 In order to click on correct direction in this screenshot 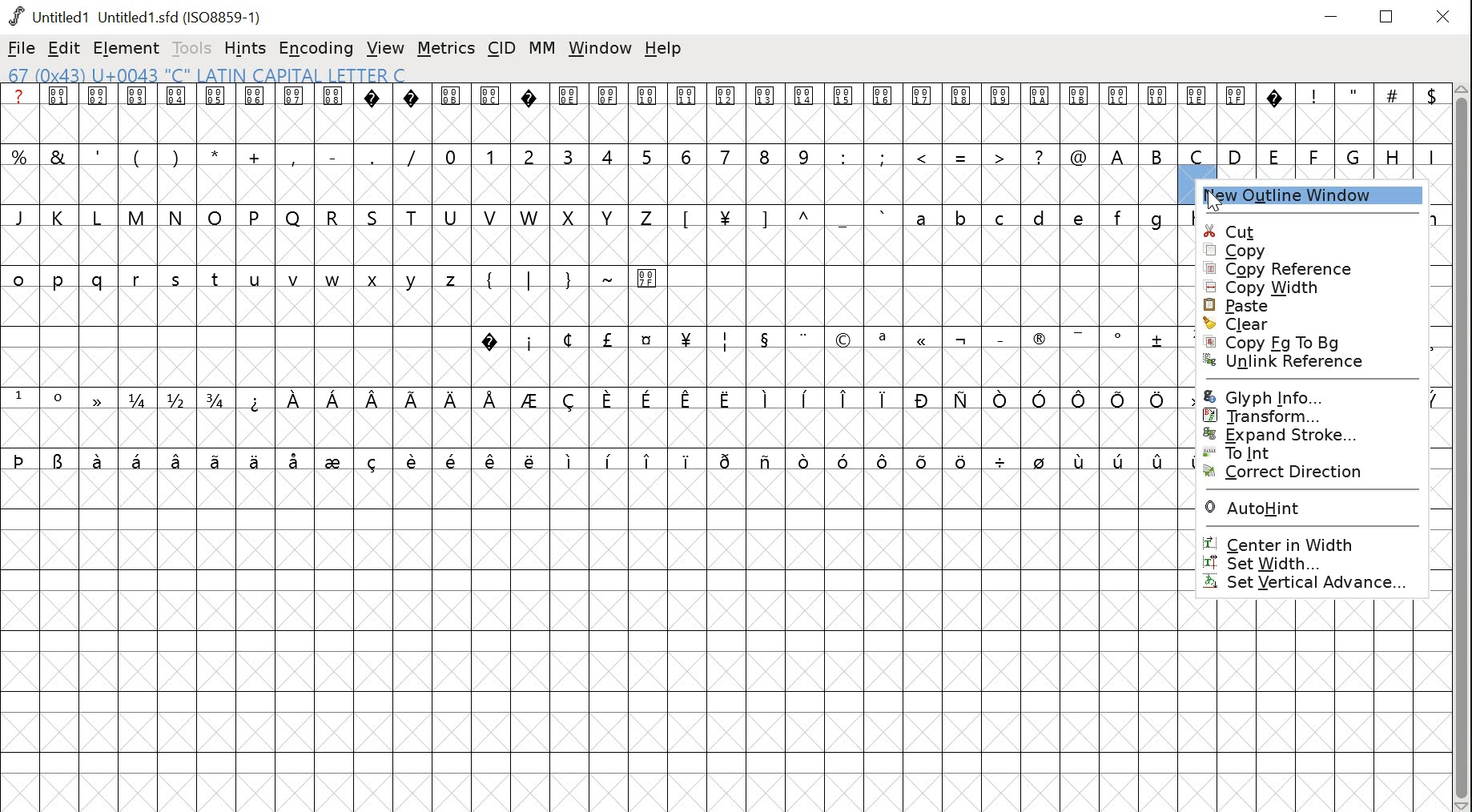, I will do `click(1306, 474)`.